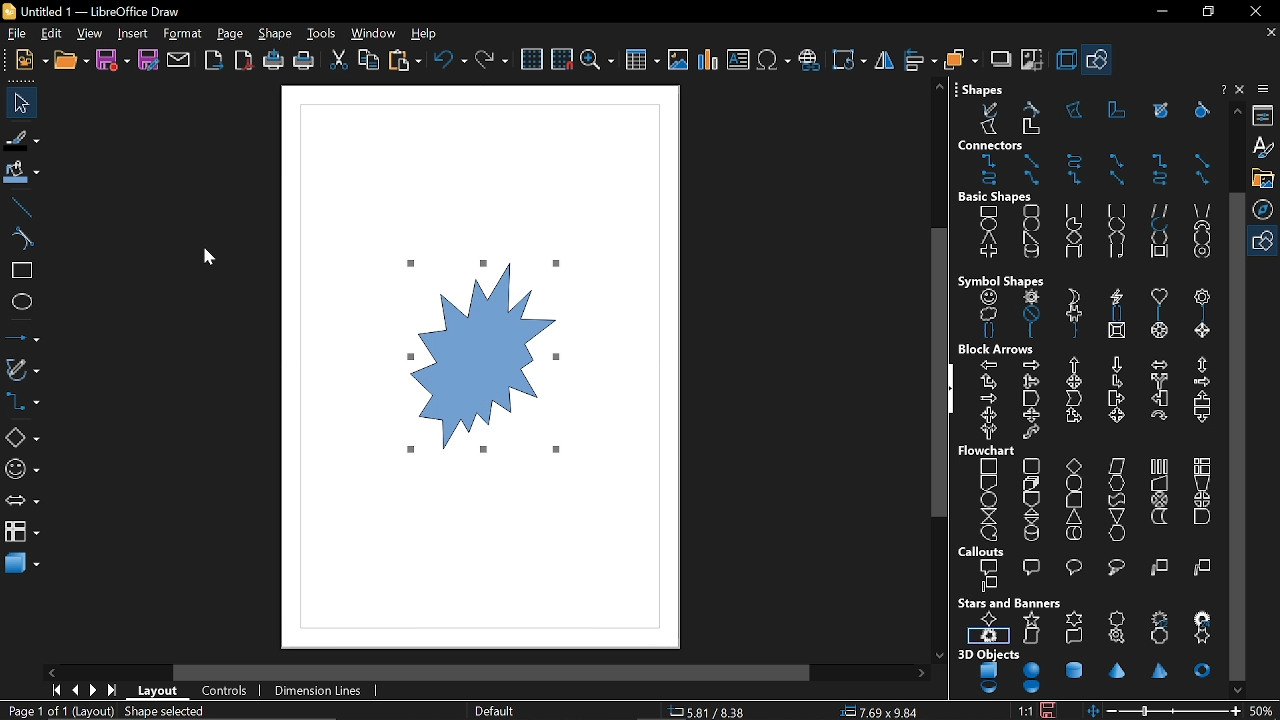 The width and height of the screenshot is (1280, 720). Describe the element at coordinates (22, 439) in the screenshot. I see `Basic shapes` at that location.